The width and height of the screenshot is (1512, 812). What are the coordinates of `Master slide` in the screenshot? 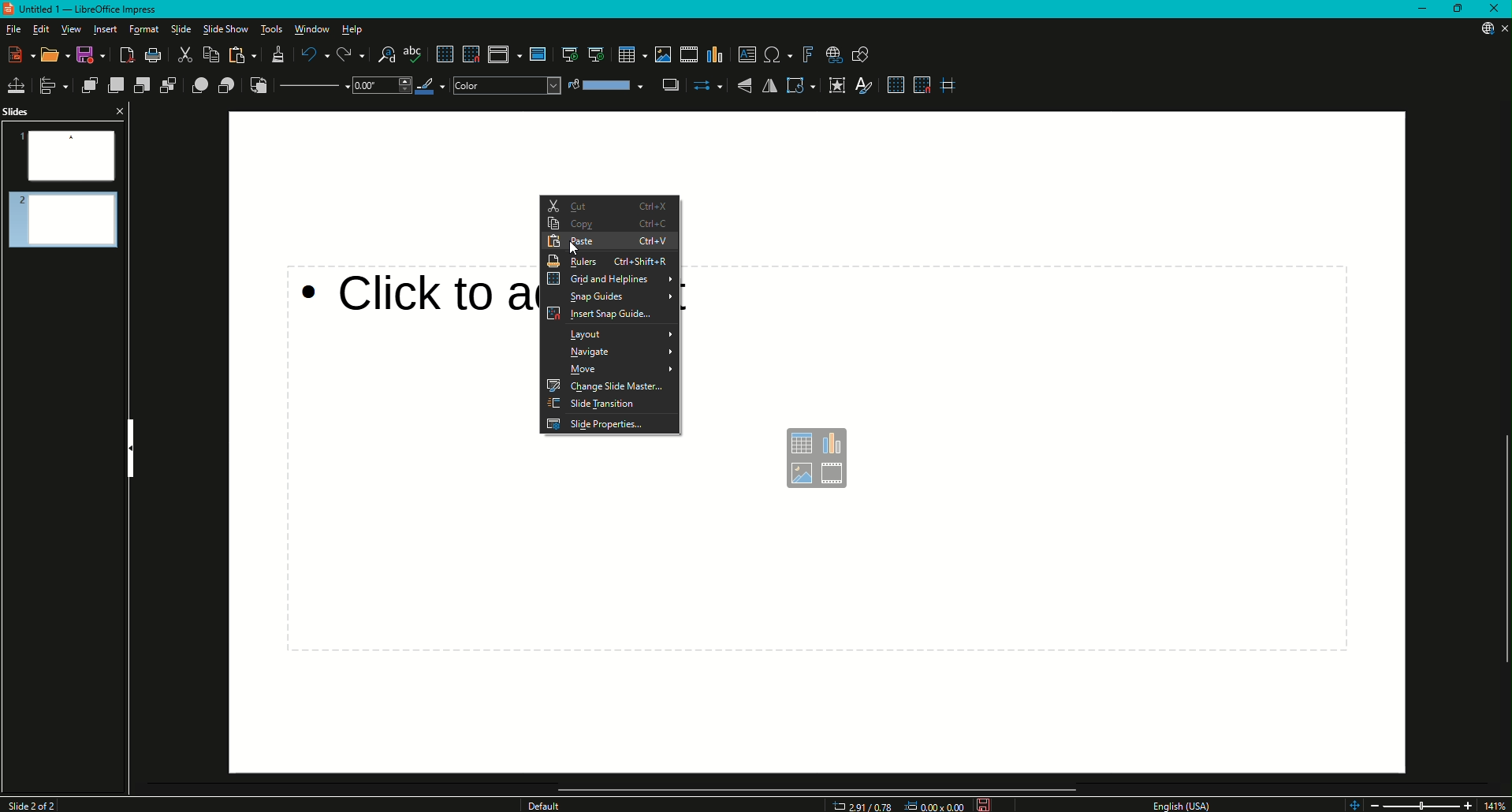 It's located at (541, 54).